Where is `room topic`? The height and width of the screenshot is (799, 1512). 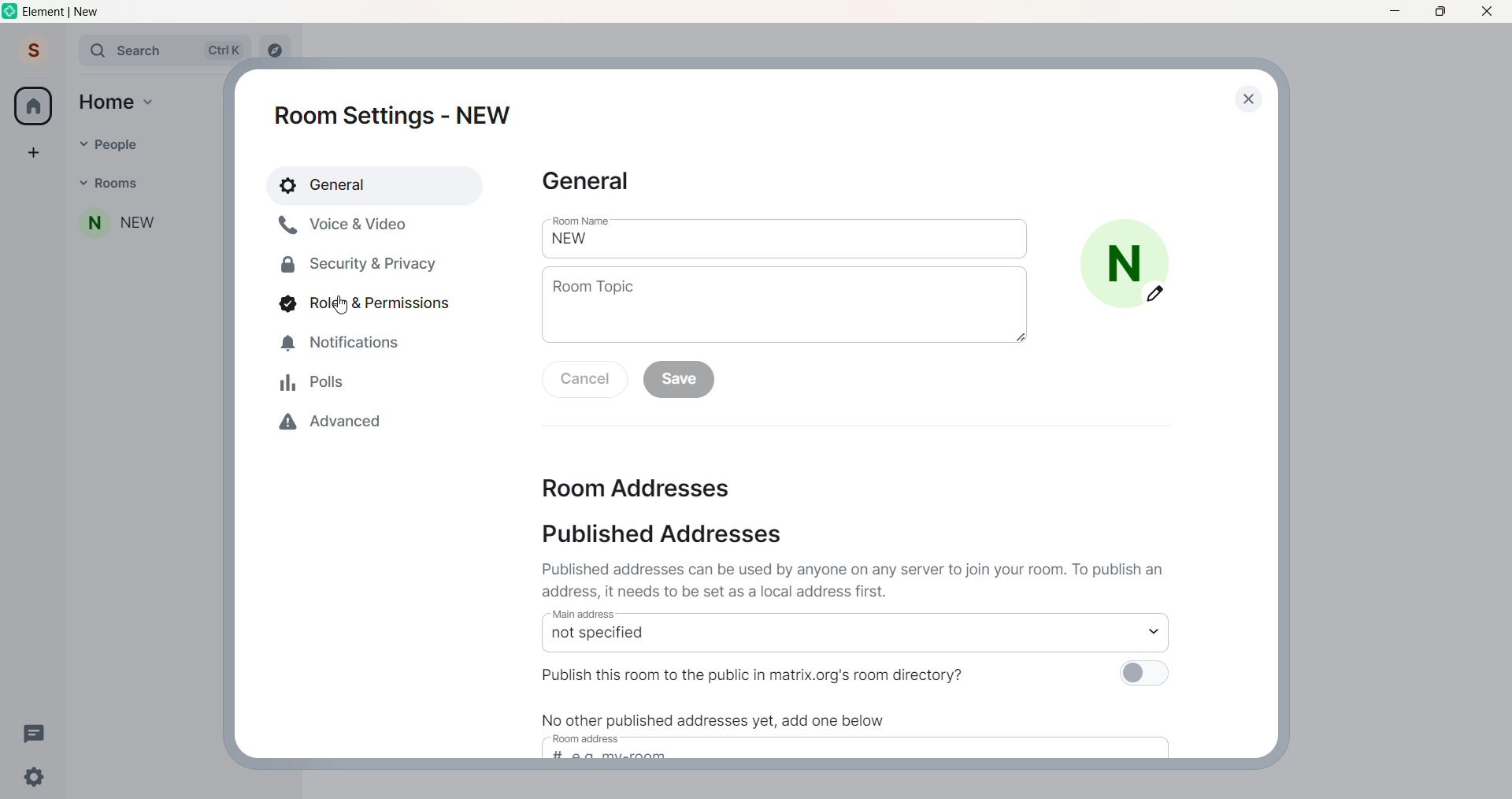 room topic is located at coordinates (786, 311).